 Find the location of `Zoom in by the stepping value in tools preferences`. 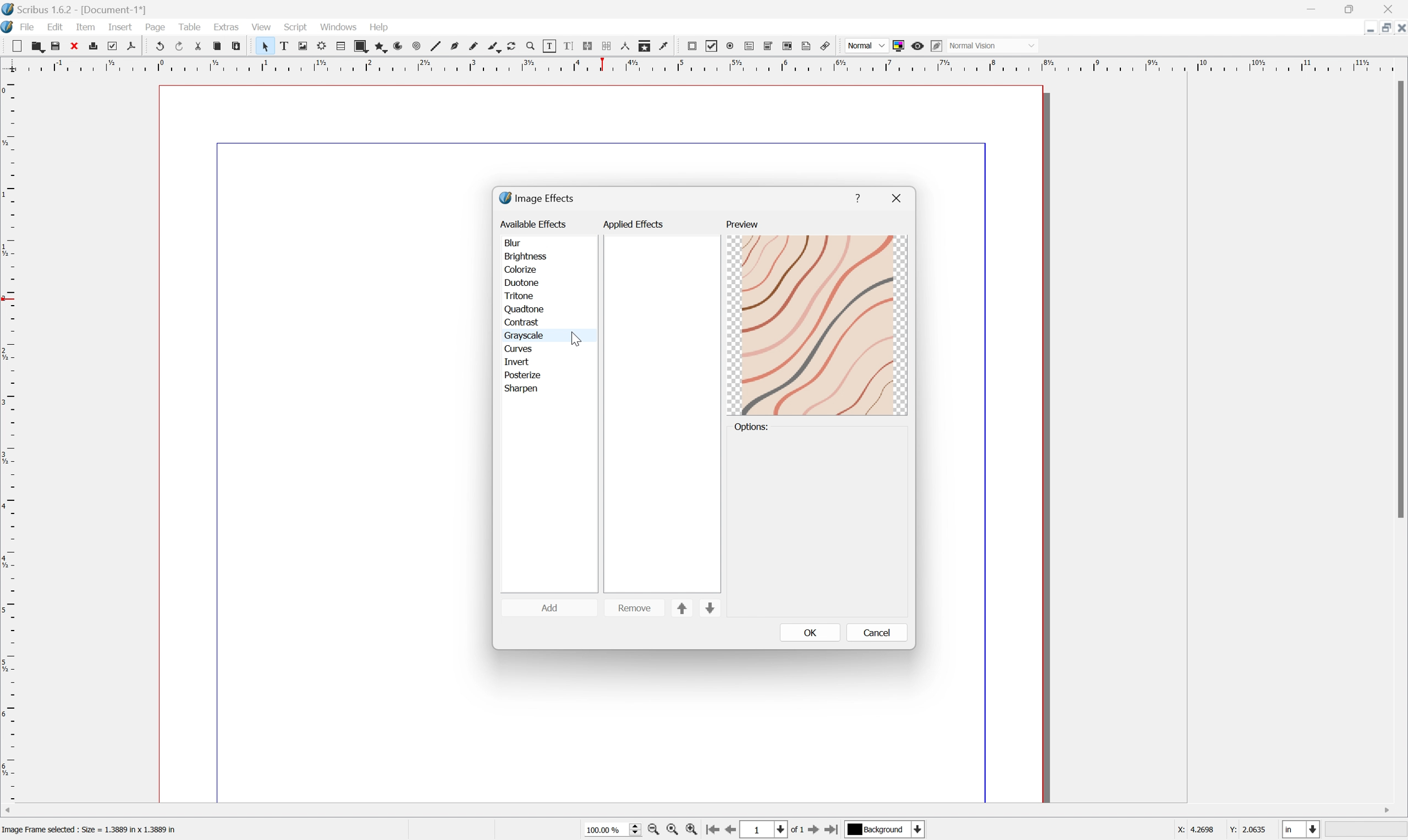

Zoom in by the stepping value in tools preferences is located at coordinates (692, 832).